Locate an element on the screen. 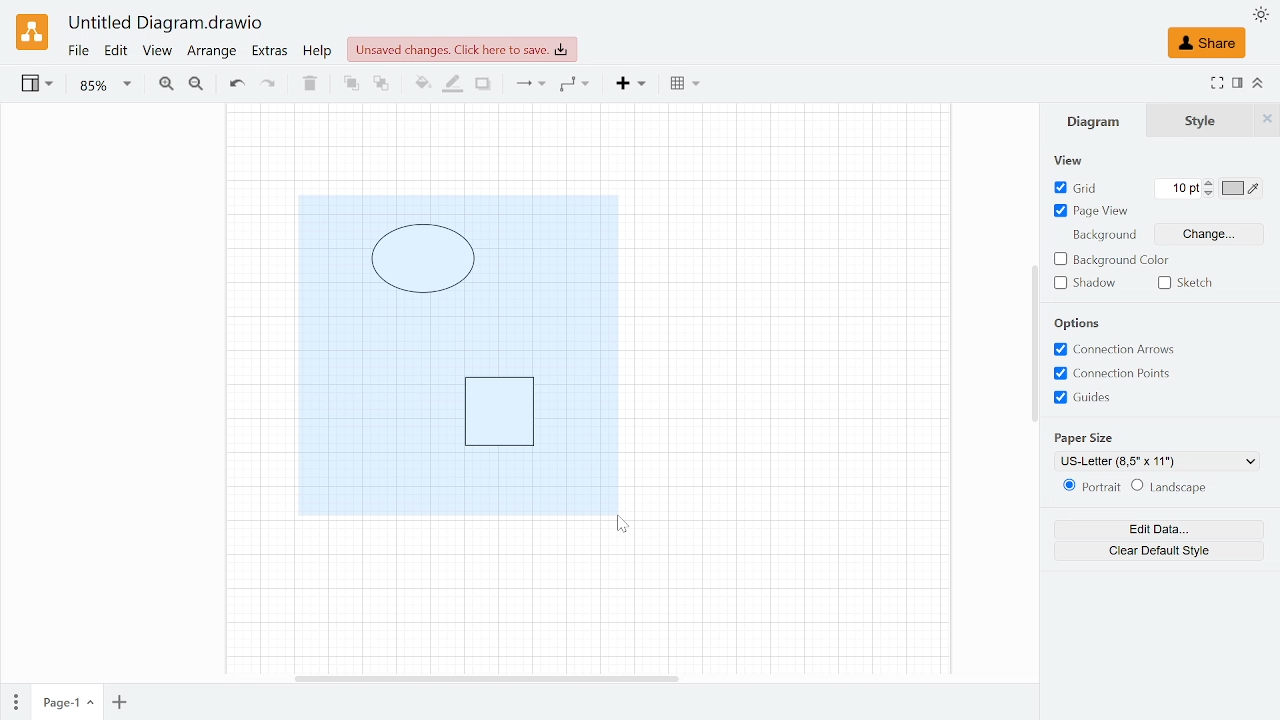 Image resolution: width=1280 pixels, height=720 pixels. View is located at coordinates (39, 86).